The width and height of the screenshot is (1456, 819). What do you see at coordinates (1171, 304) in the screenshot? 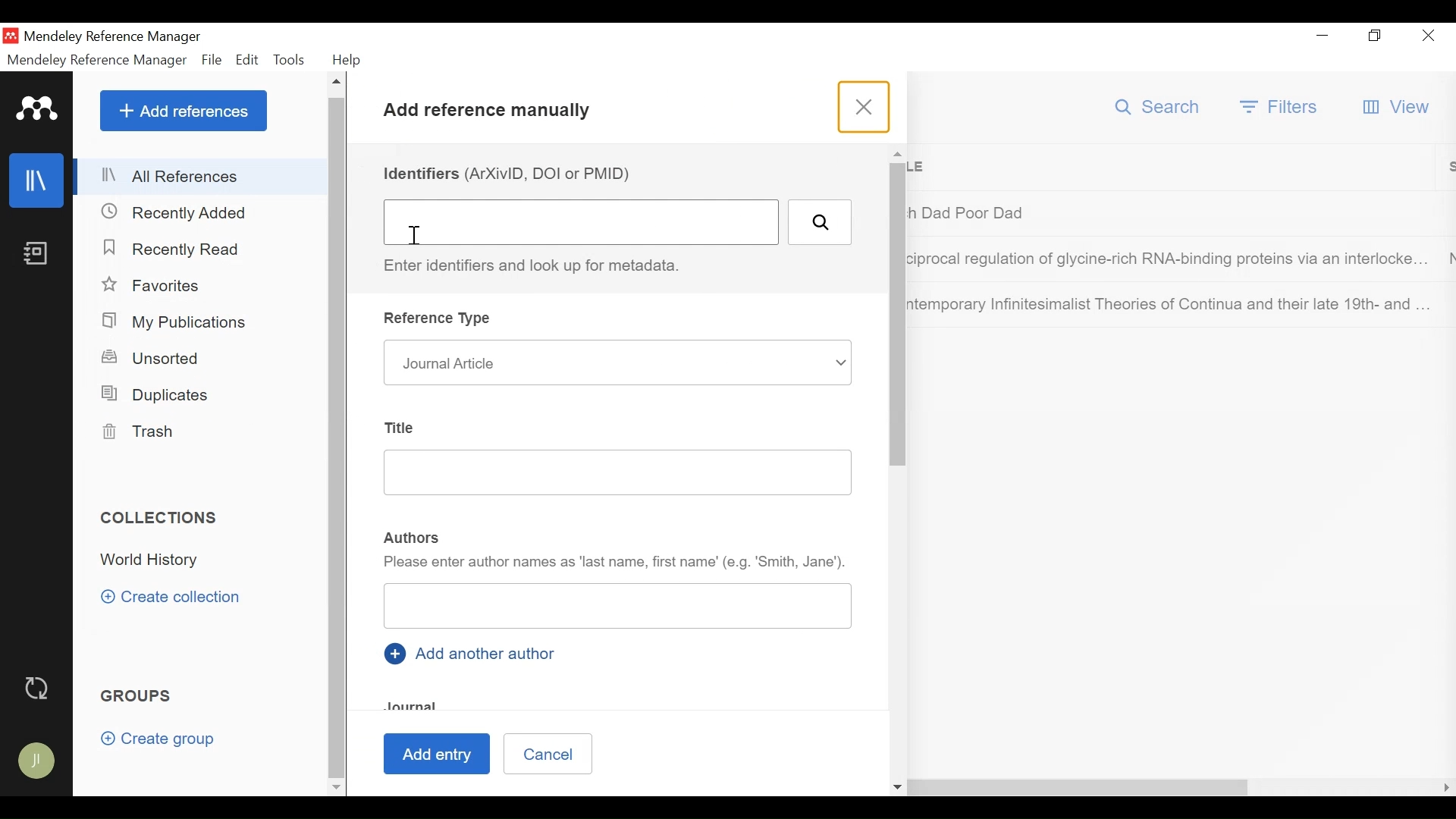
I see `Contemporary Infinitesimalist Theories of Continua and their late 19th and ...` at bounding box center [1171, 304].